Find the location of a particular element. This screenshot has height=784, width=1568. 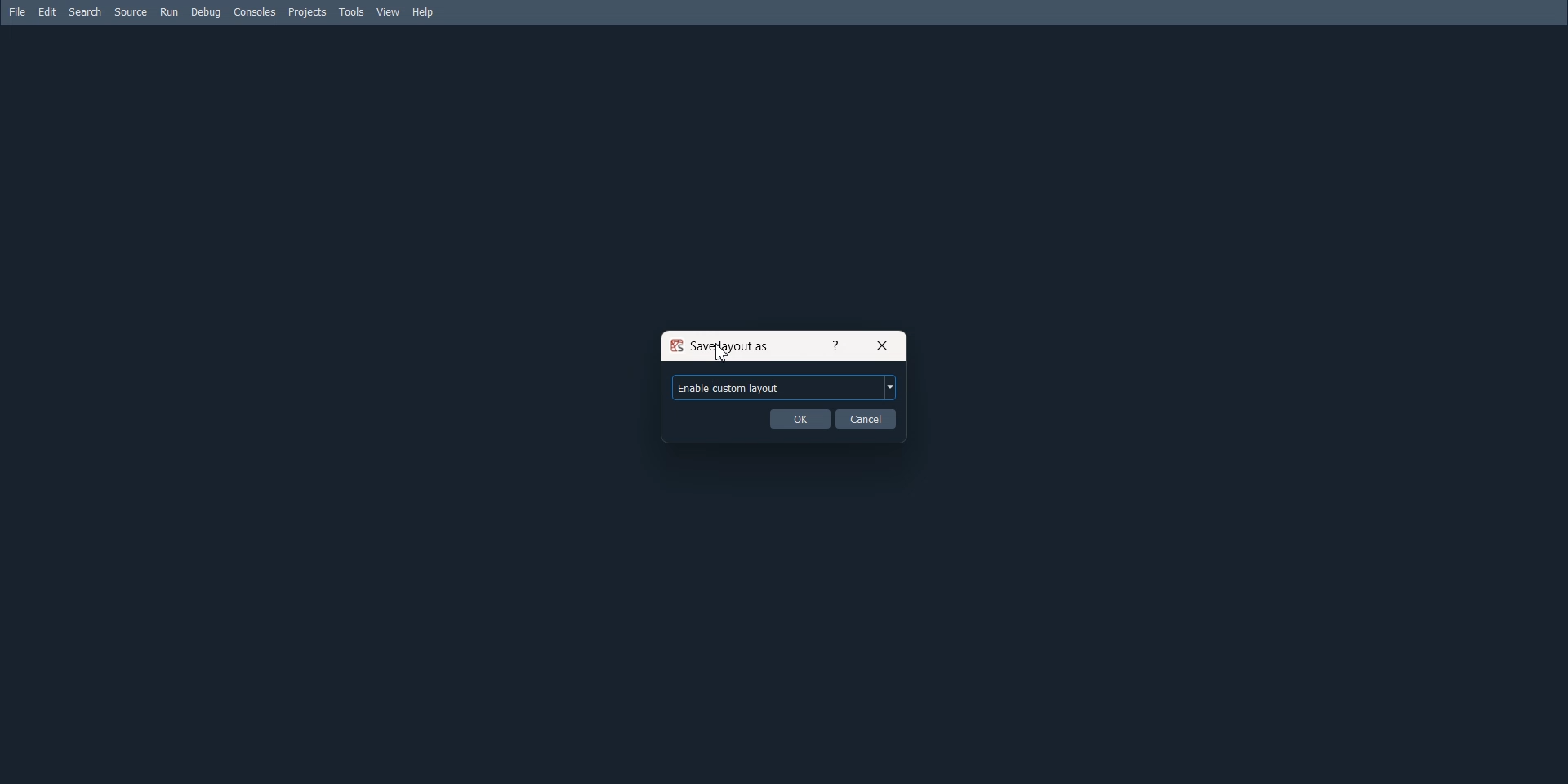

Projects is located at coordinates (308, 13).